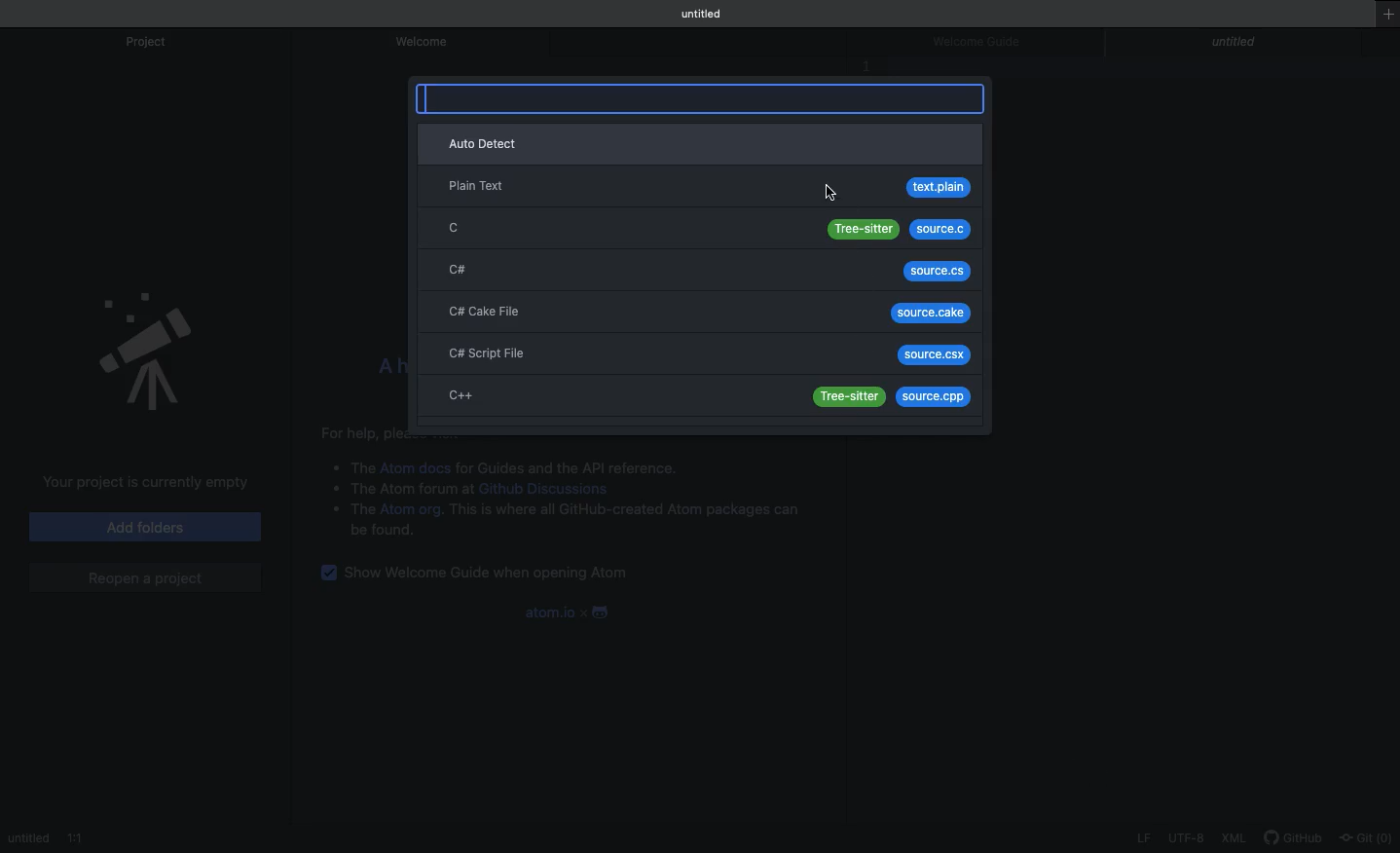  What do you see at coordinates (147, 42) in the screenshot?
I see `Project` at bounding box center [147, 42].